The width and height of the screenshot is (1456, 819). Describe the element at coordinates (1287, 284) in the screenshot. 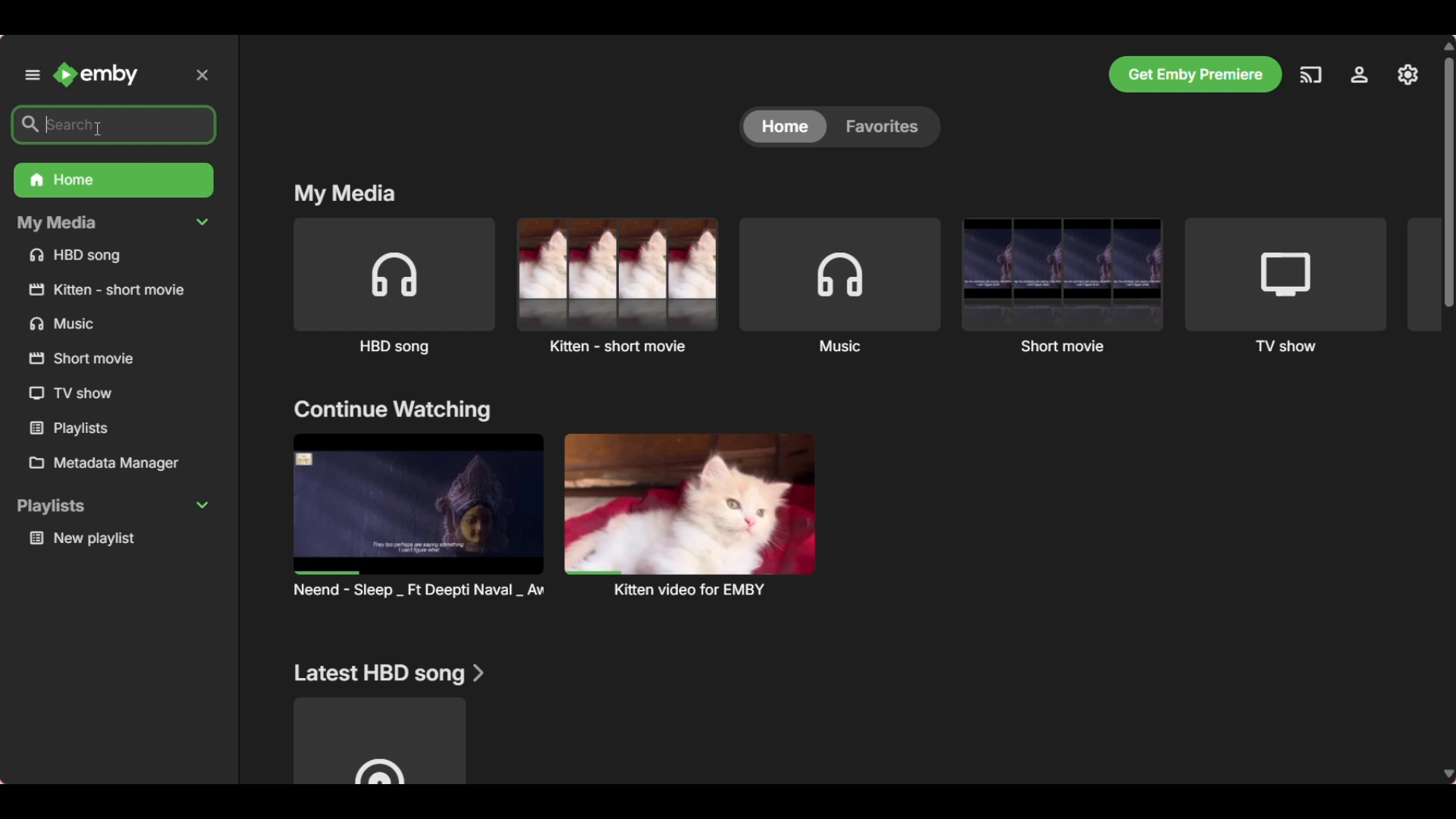

I see `TV show` at that location.